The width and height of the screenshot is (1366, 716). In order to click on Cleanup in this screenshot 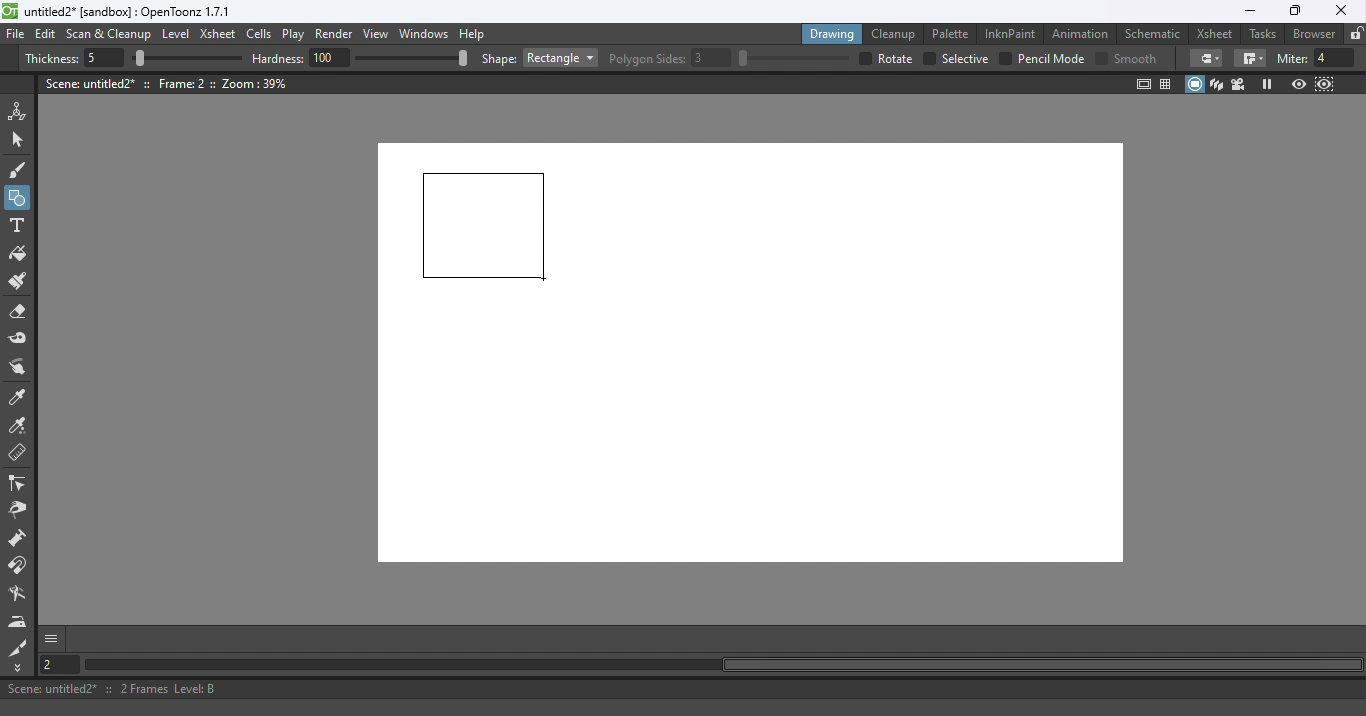, I will do `click(897, 33)`.